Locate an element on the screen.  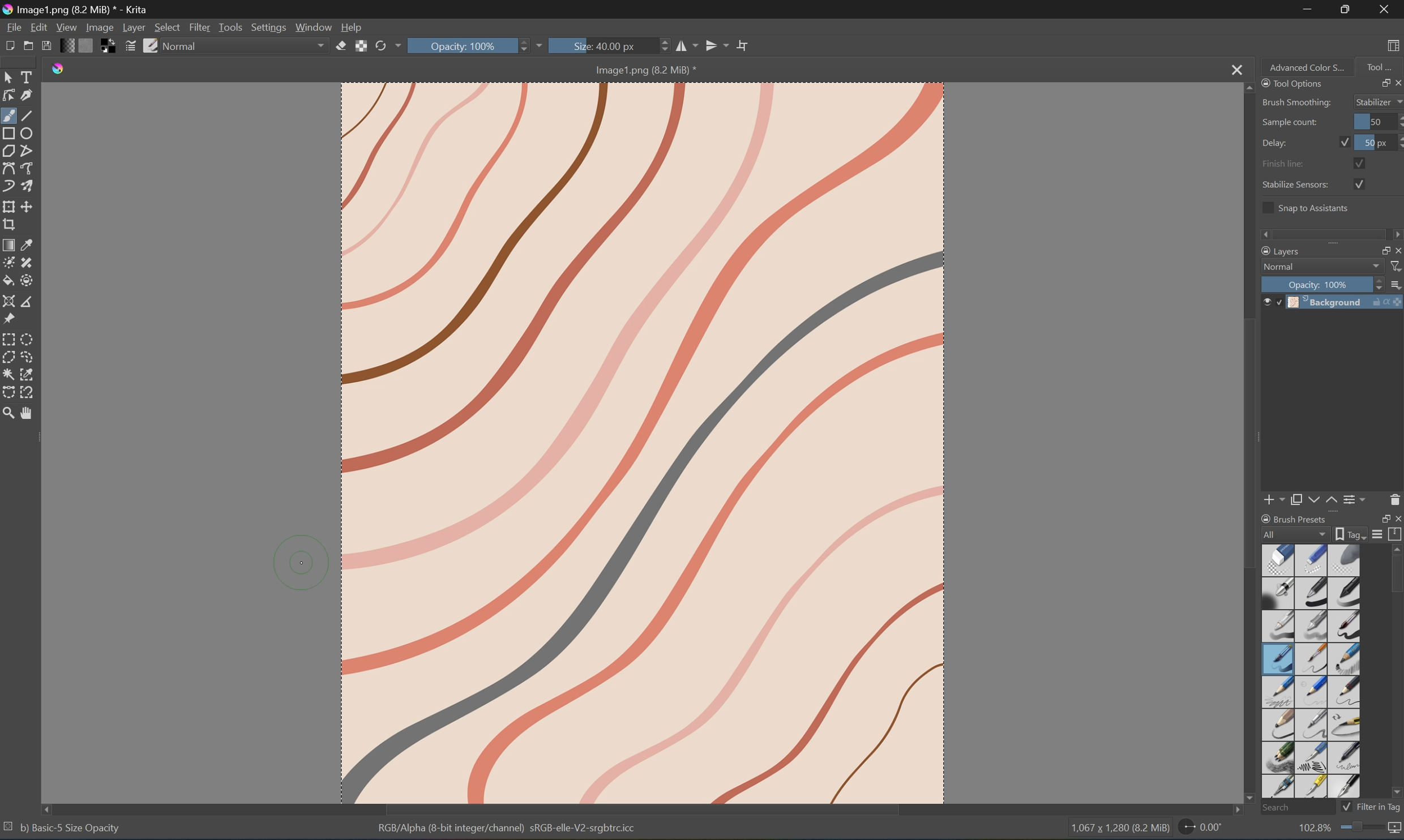
Elliptical selection tool is located at coordinates (30, 338).